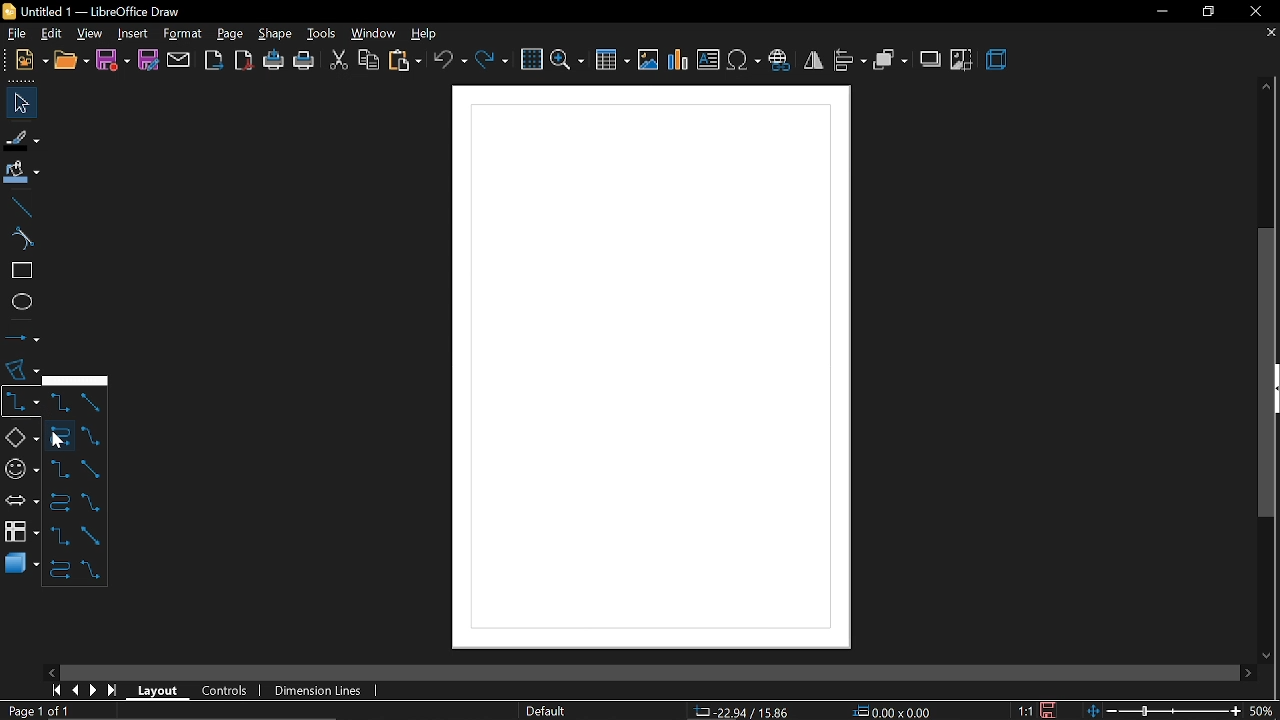 The image size is (1280, 720). I want to click on 3d effect, so click(997, 62).